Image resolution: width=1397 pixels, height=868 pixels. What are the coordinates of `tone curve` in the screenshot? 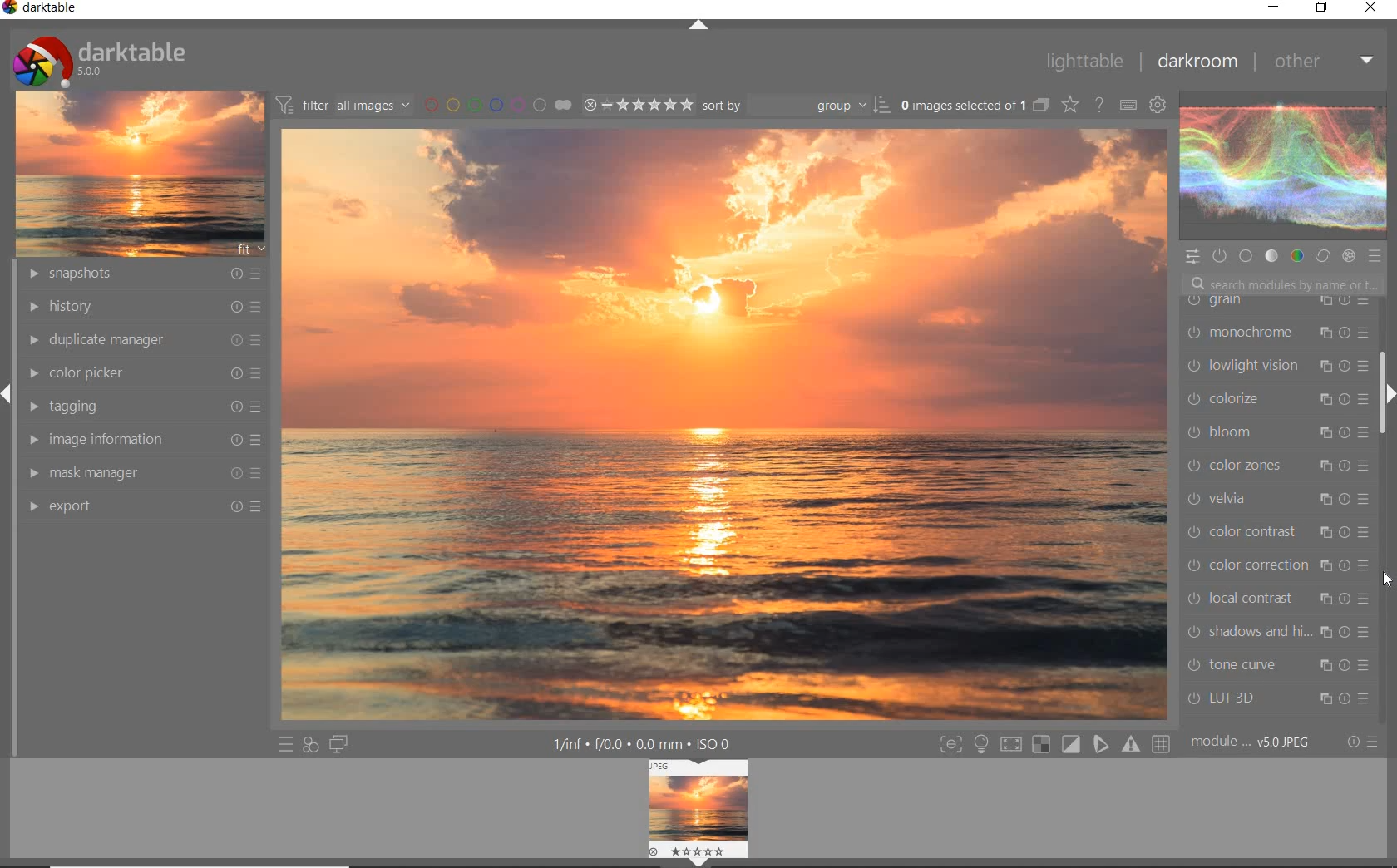 It's located at (1278, 665).